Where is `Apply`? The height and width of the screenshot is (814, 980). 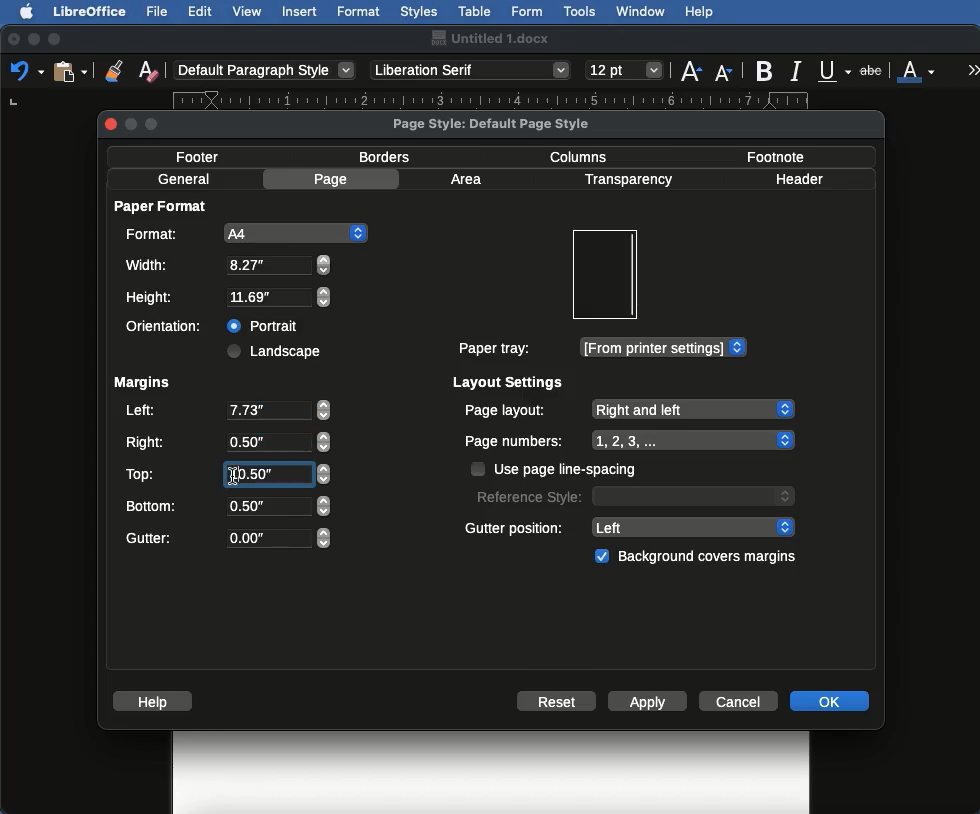 Apply is located at coordinates (648, 703).